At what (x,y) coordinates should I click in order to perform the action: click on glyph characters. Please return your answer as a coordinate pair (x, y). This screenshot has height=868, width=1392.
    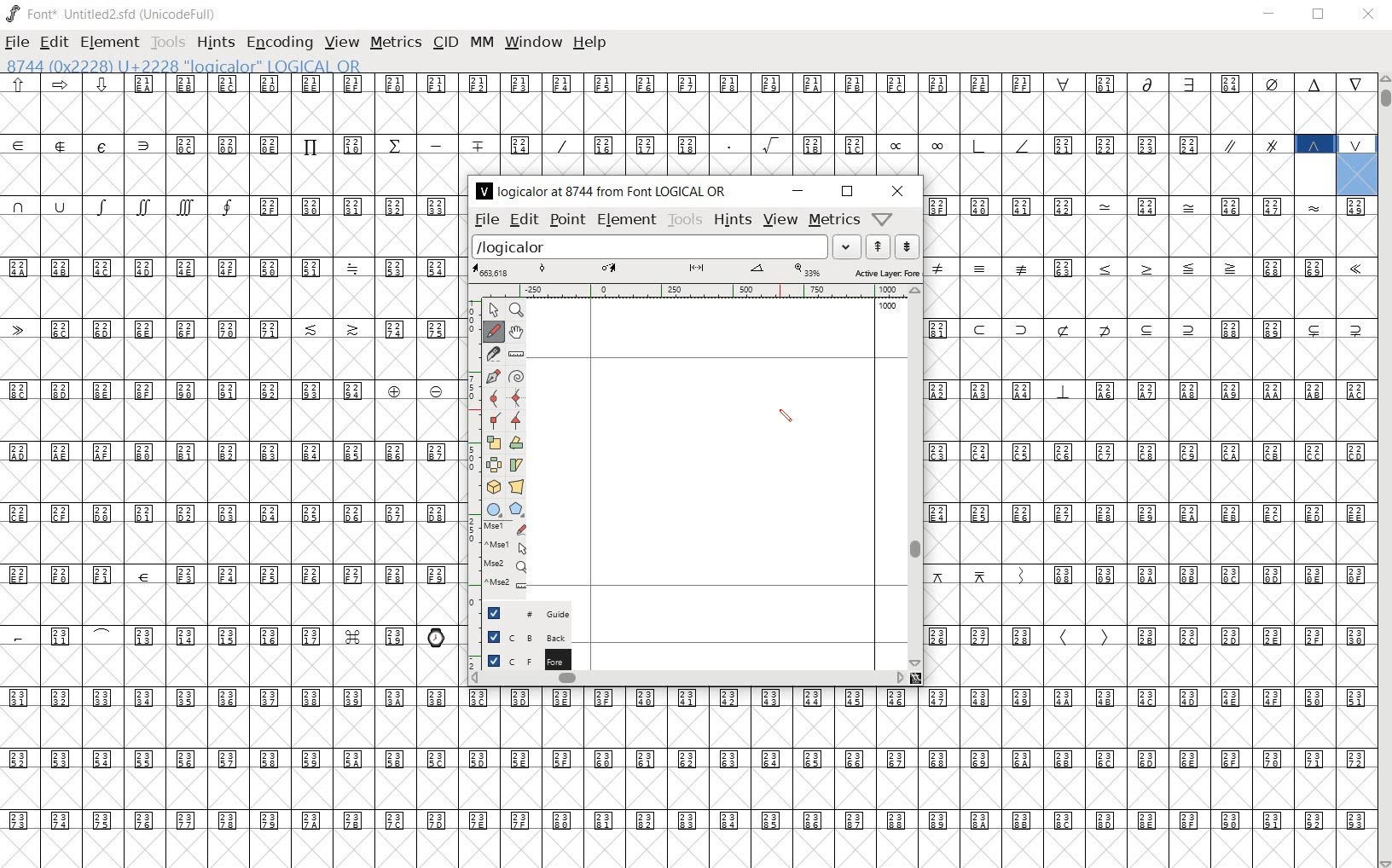
    Looking at the image, I should click on (896, 124).